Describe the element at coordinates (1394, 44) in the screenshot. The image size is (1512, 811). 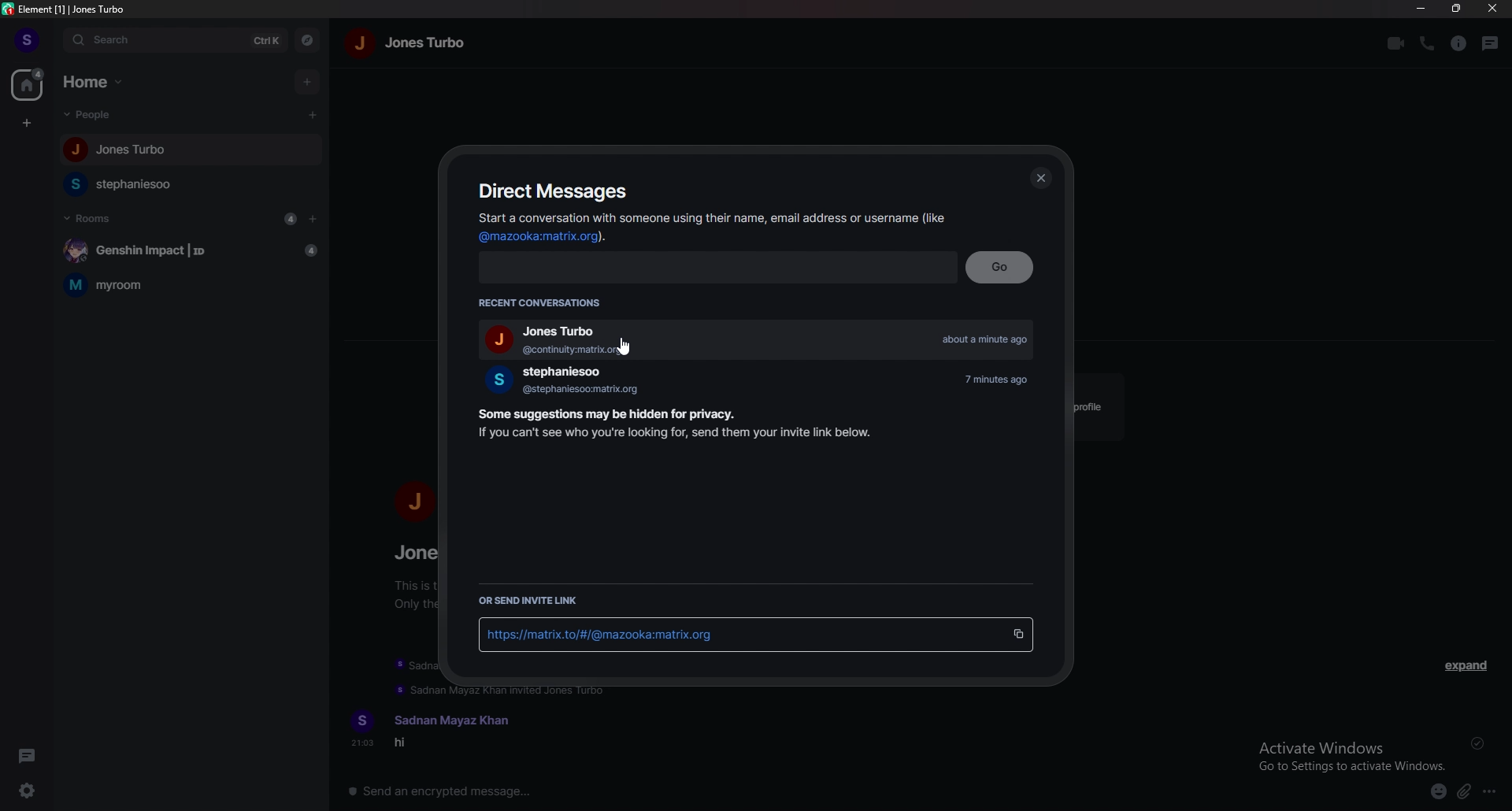
I see `video call` at that location.